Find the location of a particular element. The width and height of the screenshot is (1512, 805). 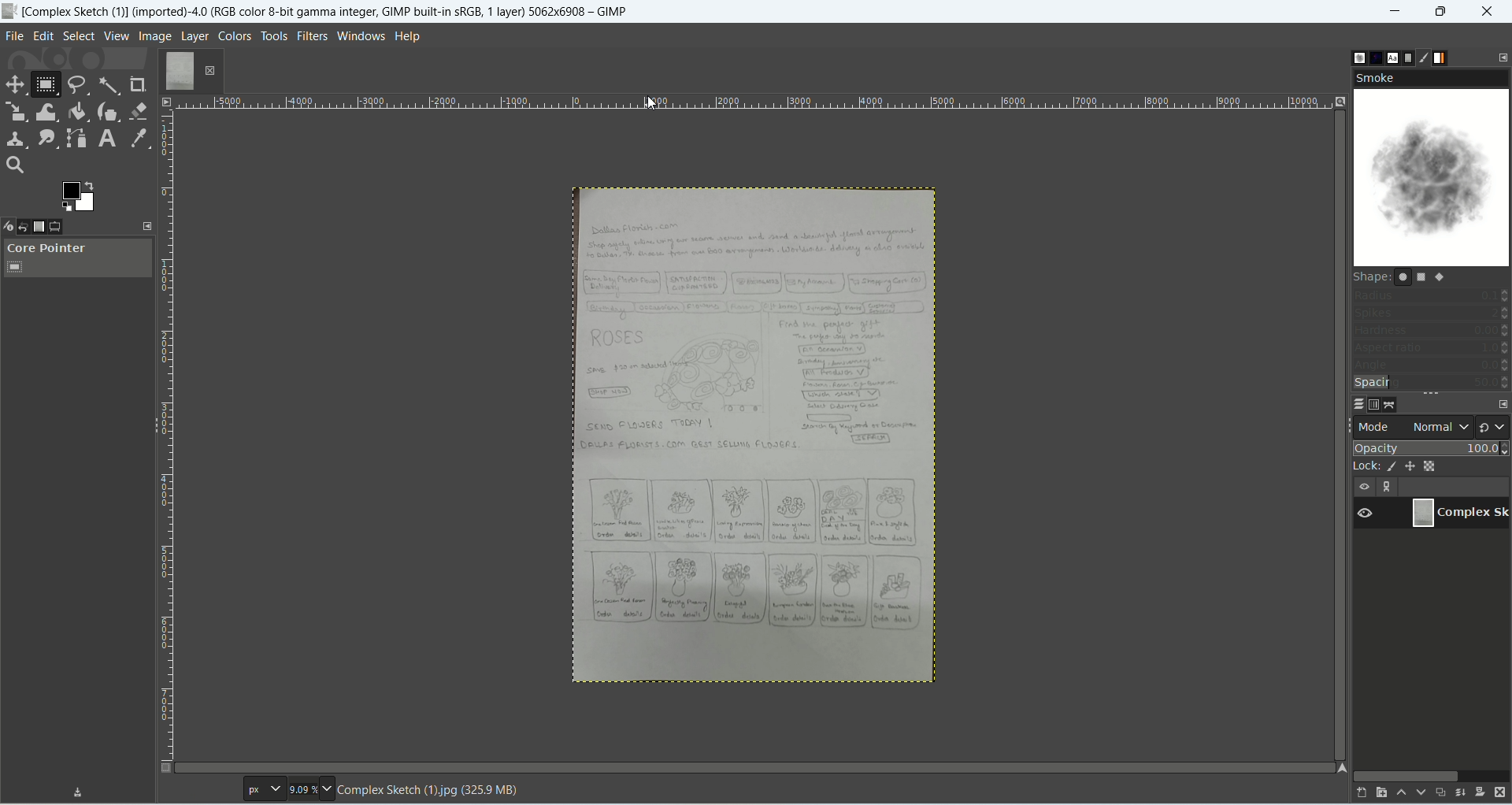

layer1 is located at coordinates (192, 72).